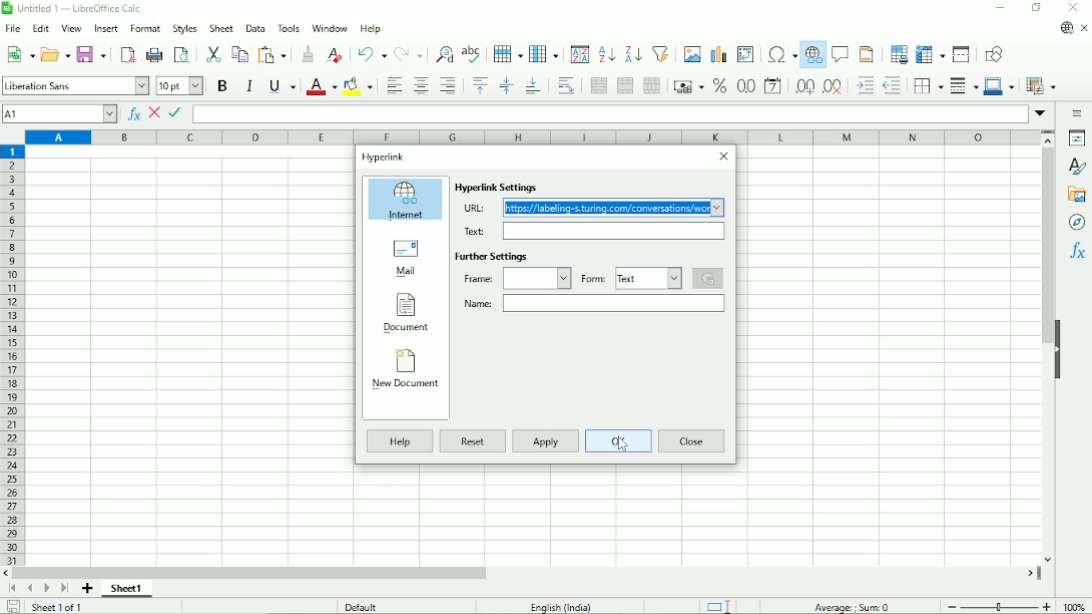  What do you see at coordinates (404, 259) in the screenshot?
I see `Mail` at bounding box center [404, 259].